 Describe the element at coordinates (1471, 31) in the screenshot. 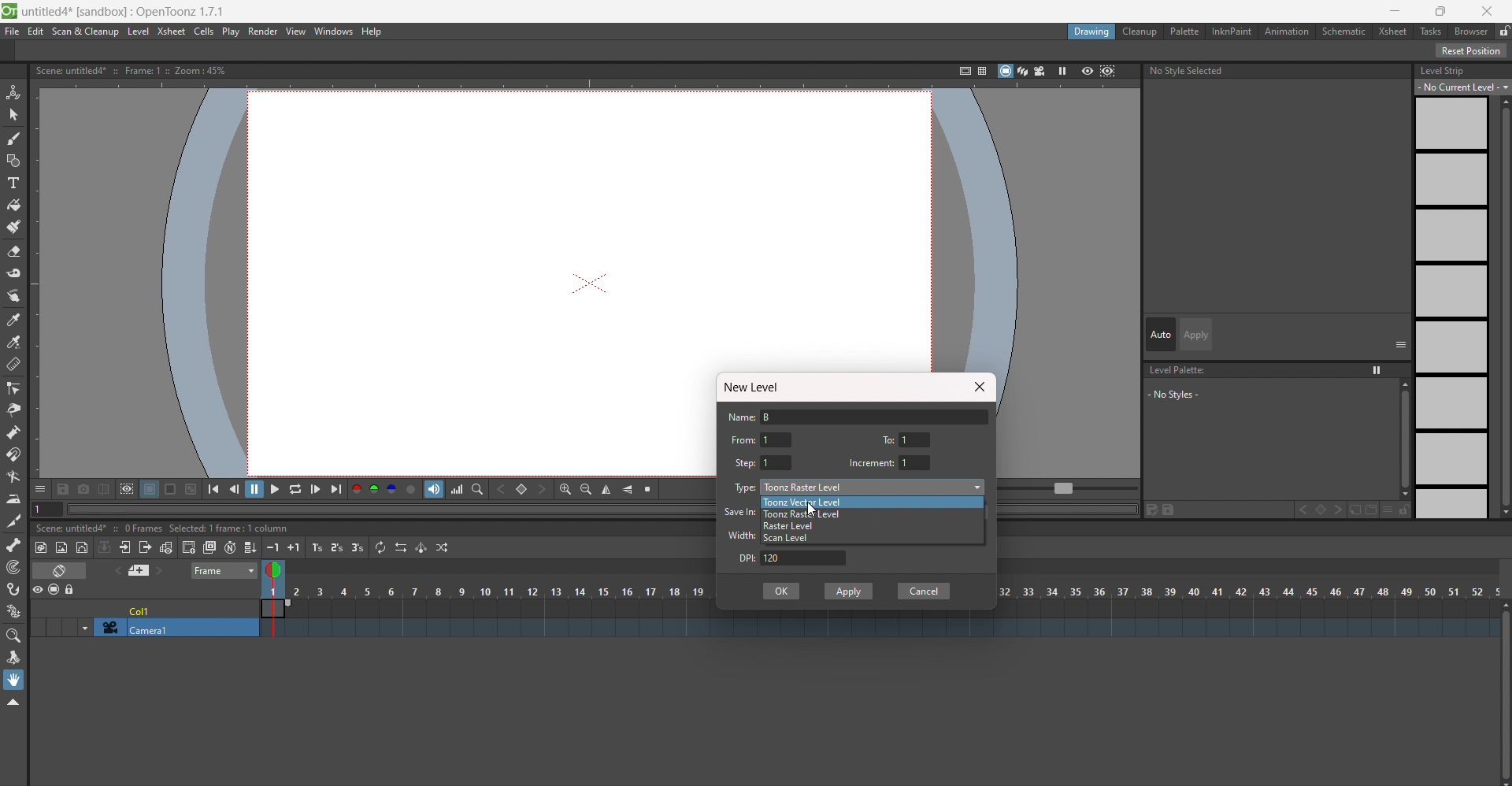

I see `b` at that location.